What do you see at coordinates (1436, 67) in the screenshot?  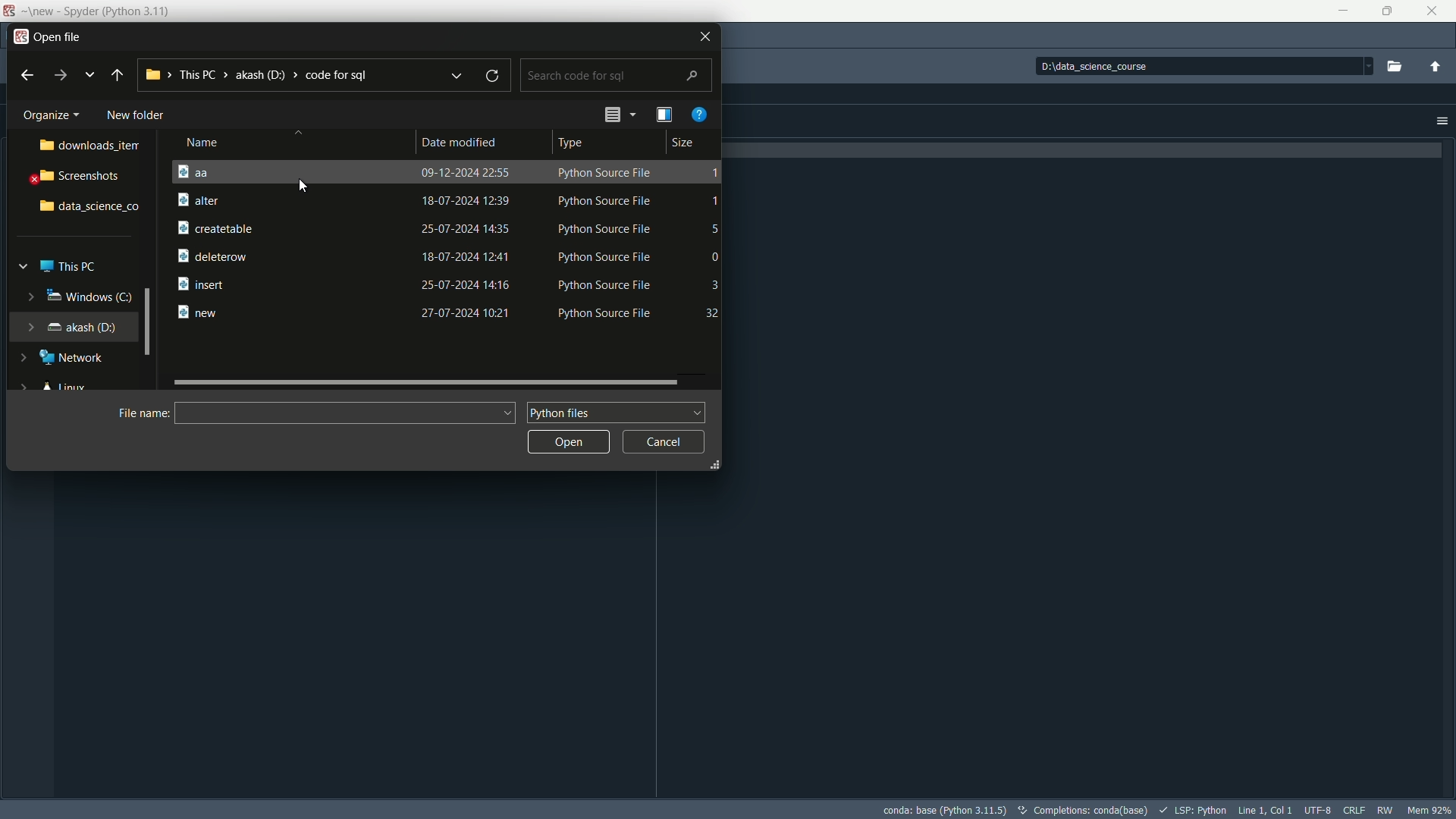 I see `change to parent directory` at bounding box center [1436, 67].